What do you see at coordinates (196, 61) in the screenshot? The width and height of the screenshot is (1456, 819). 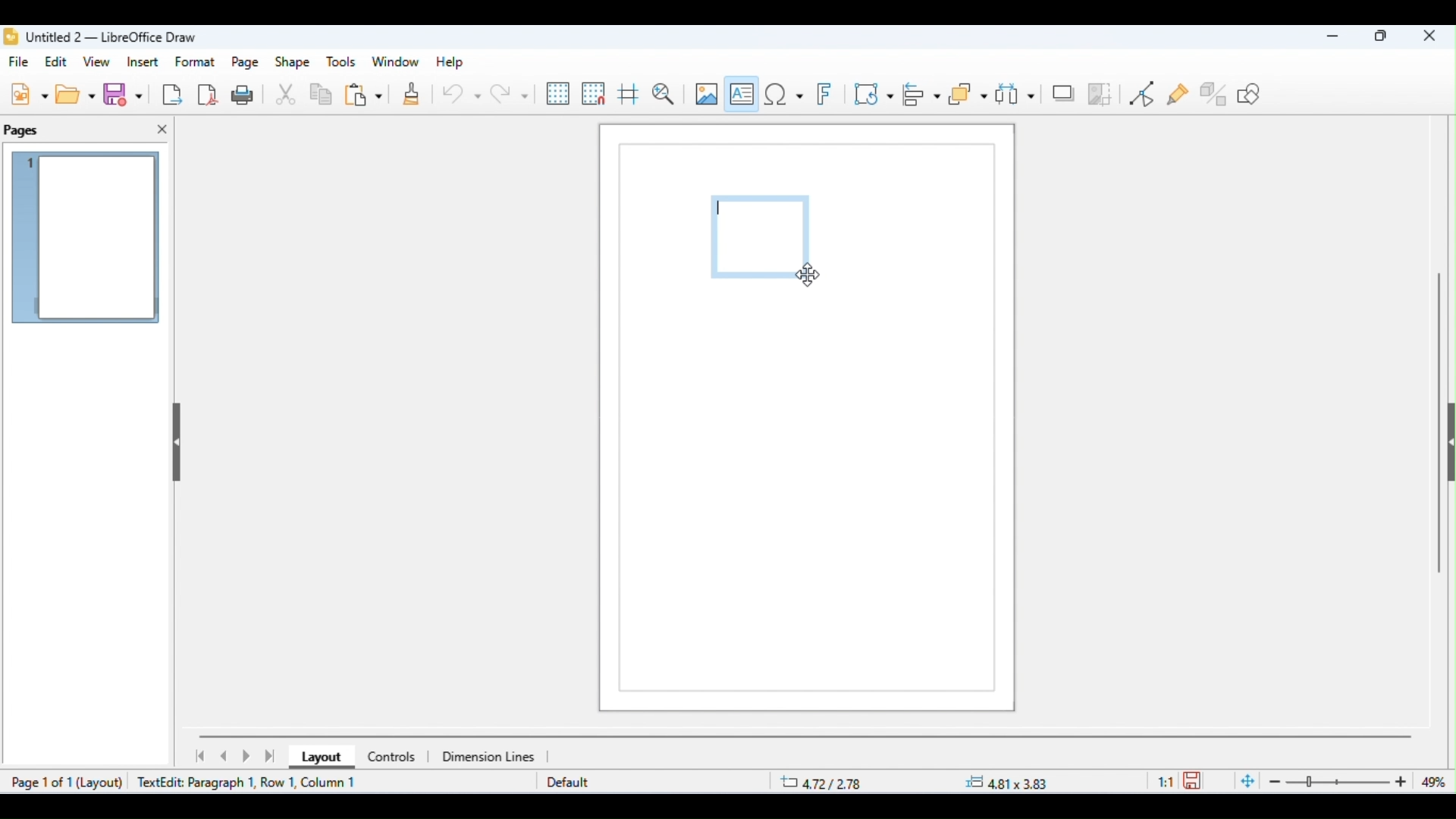 I see `format` at bounding box center [196, 61].